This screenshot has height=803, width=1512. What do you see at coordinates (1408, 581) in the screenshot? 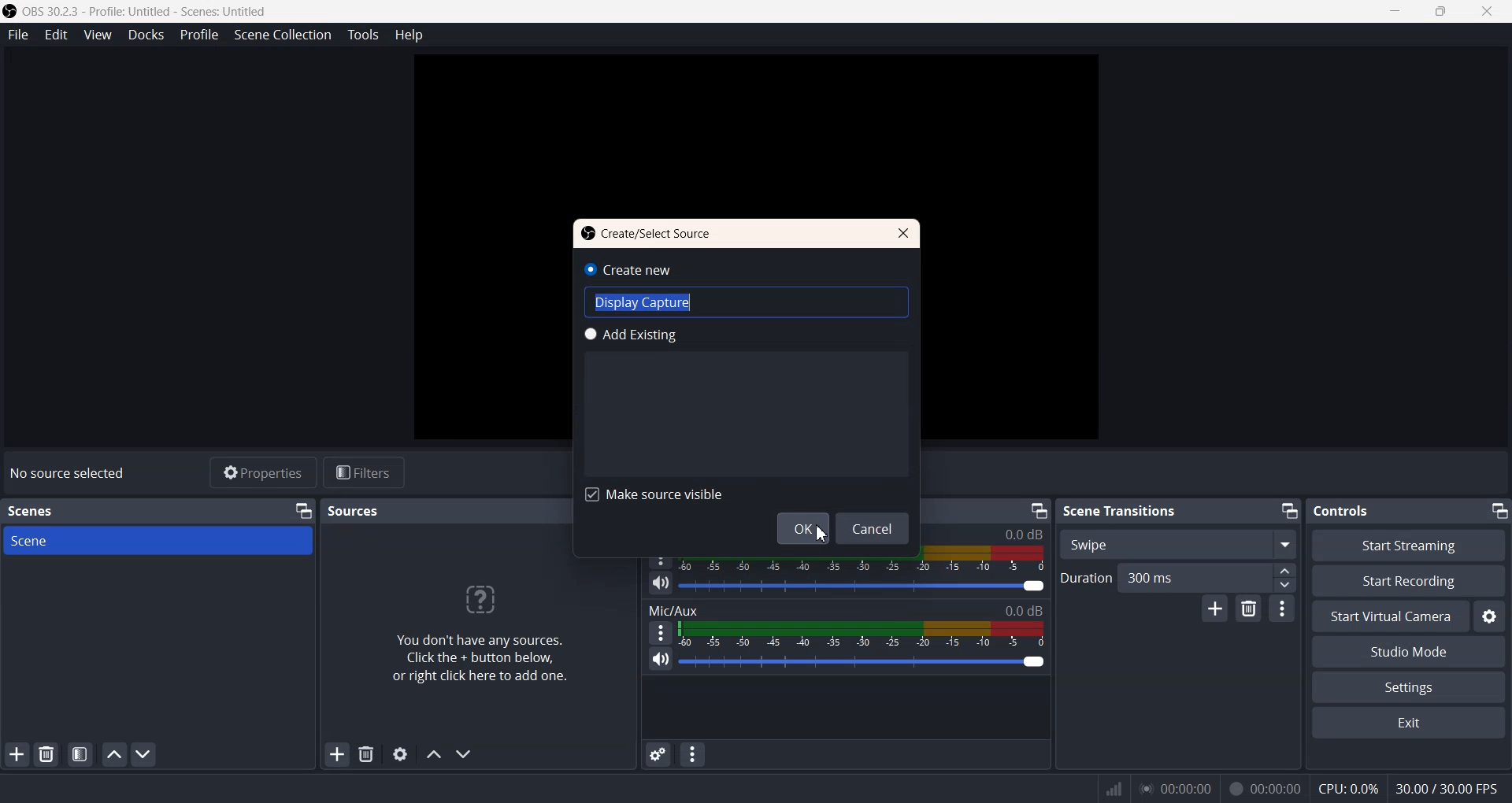
I see `Start Recording` at bounding box center [1408, 581].